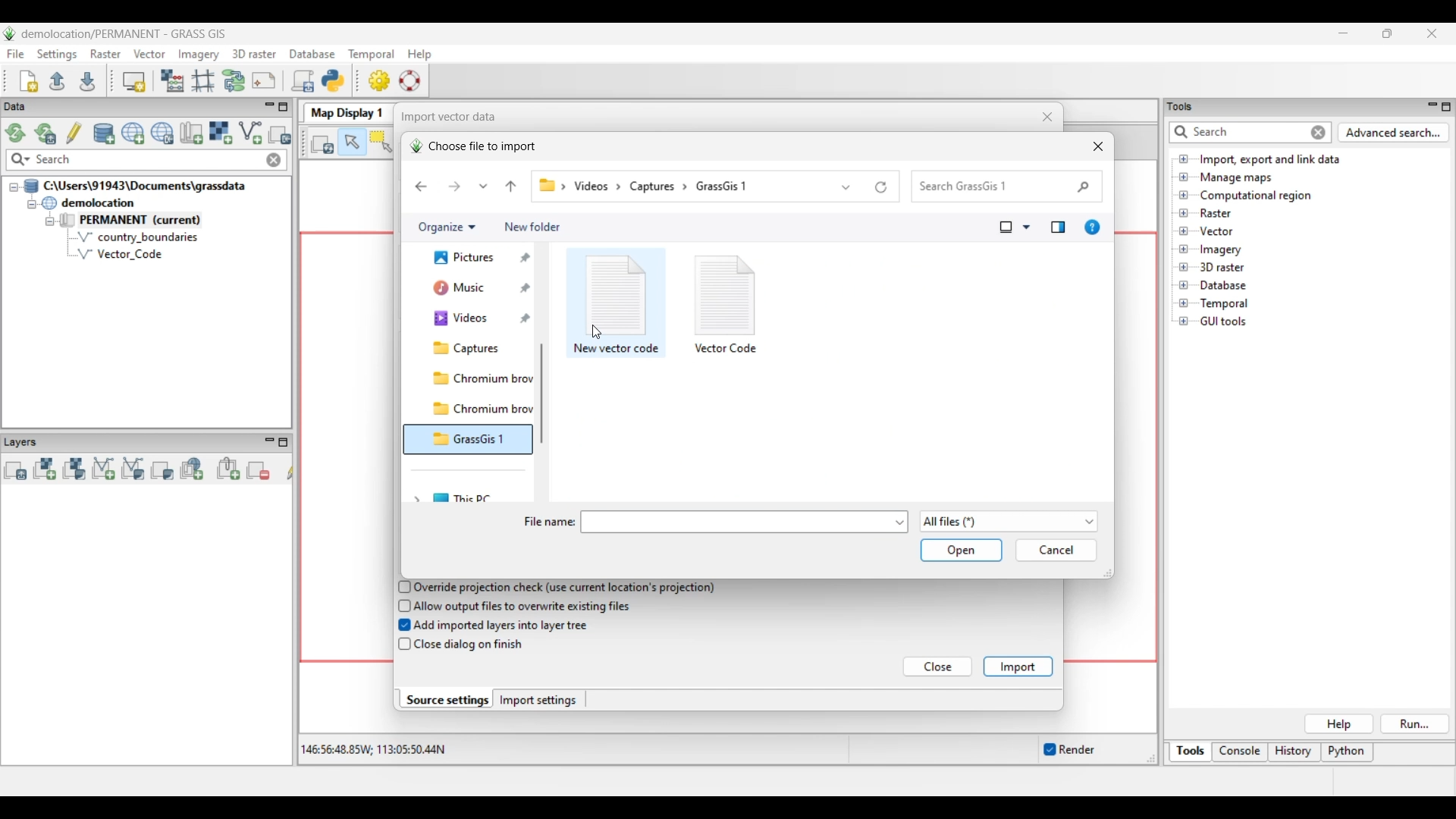 Image resolution: width=1456 pixels, height=819 pixels. I want to click on Select vector feature(s), so click(381, 143).